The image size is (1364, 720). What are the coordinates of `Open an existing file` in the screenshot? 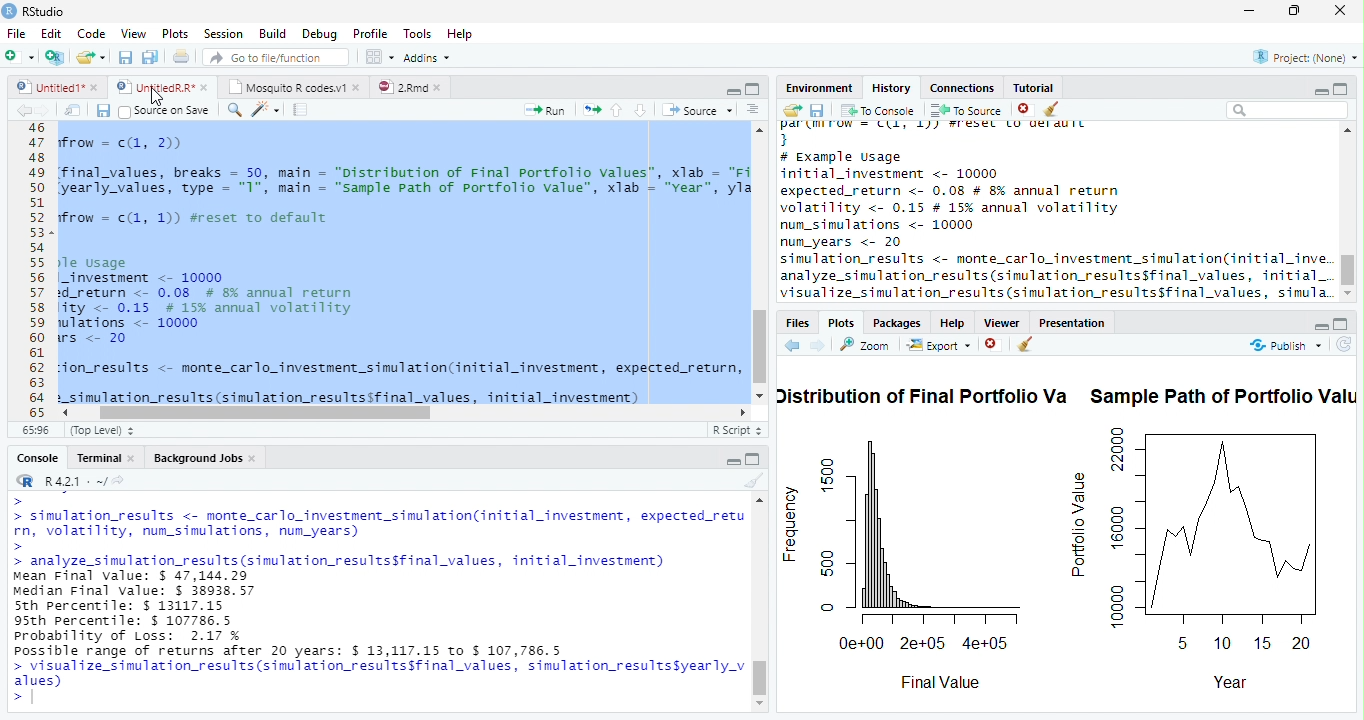 It's located at (91, 56).